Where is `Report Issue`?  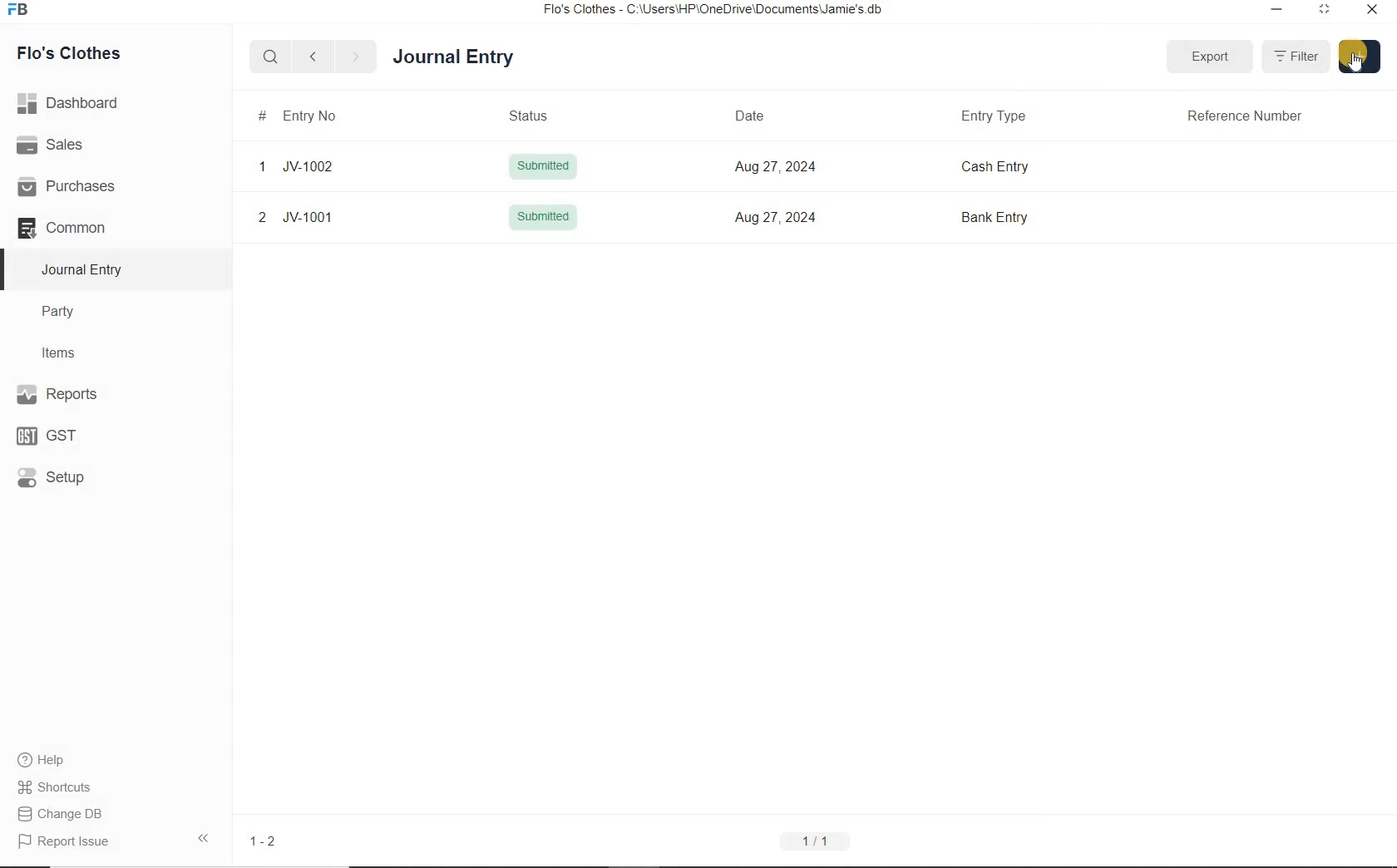
Report Issue is located at coordinates (63, 841).